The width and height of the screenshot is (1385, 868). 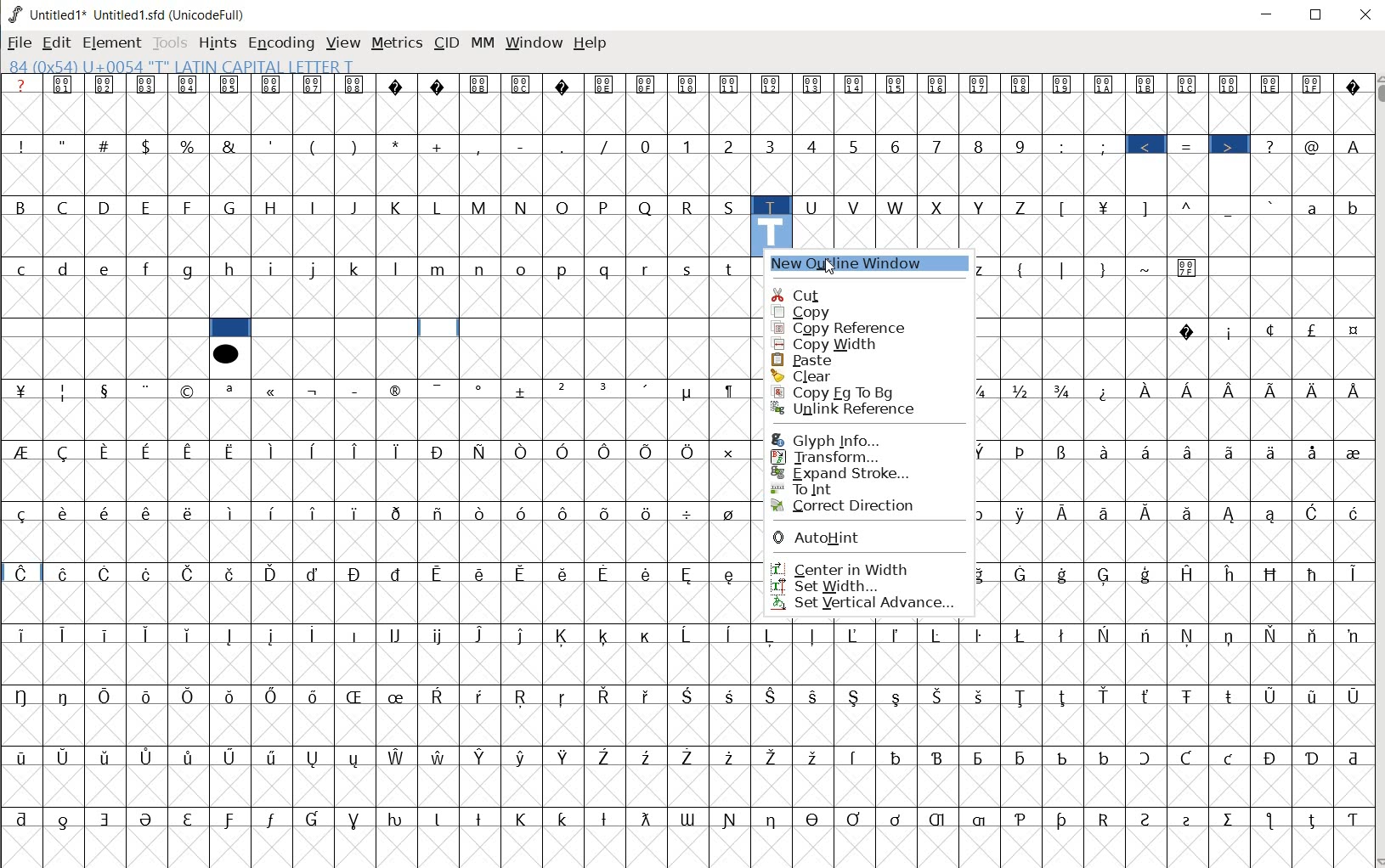 What do you see at coordinates (732, 389) in the screenshot?
I see `Symbol` at bounding box center [732, 389].